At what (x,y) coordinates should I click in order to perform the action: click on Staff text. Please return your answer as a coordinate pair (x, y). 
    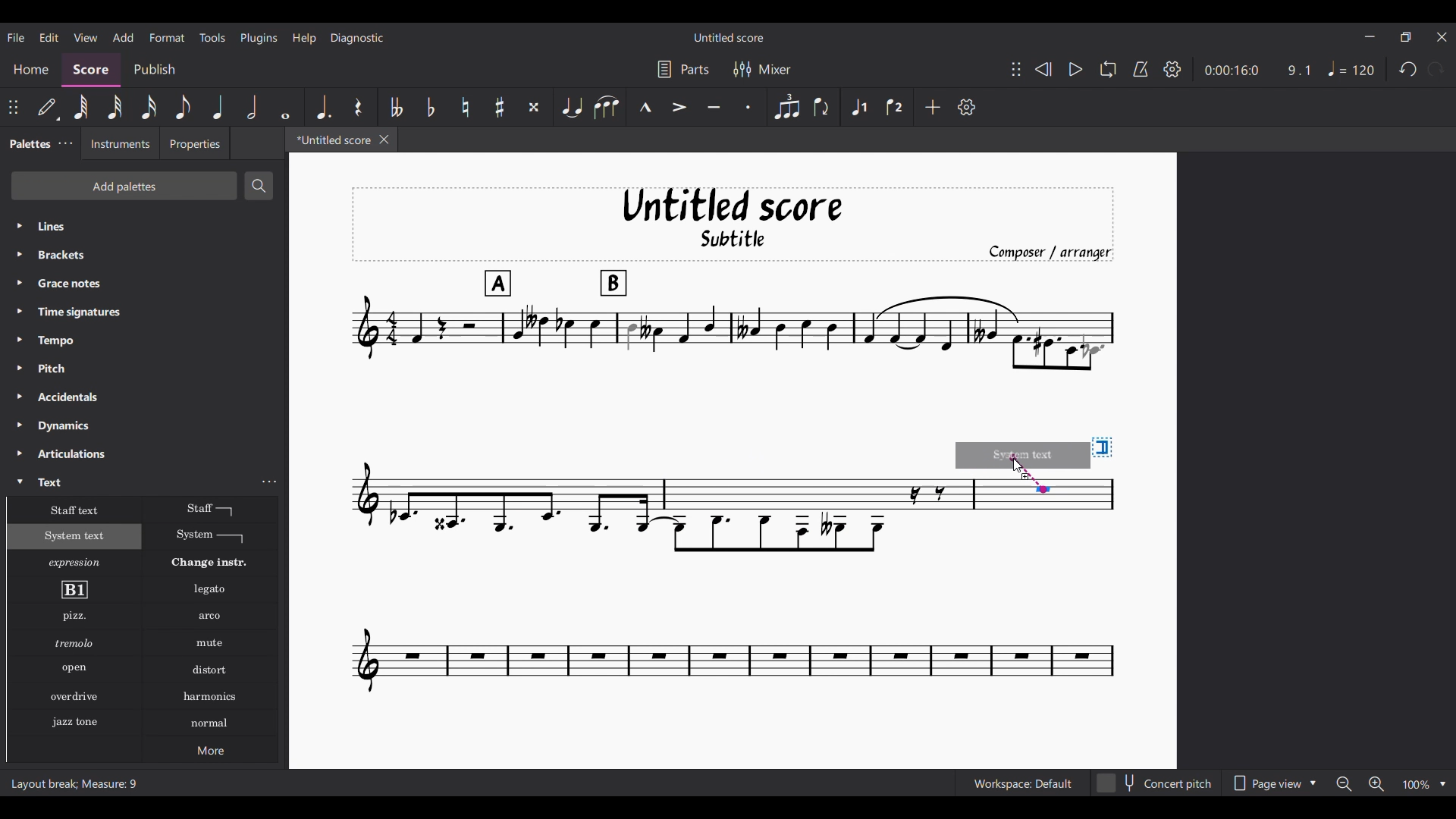
    Looking at the image, I should click on (75, 510).